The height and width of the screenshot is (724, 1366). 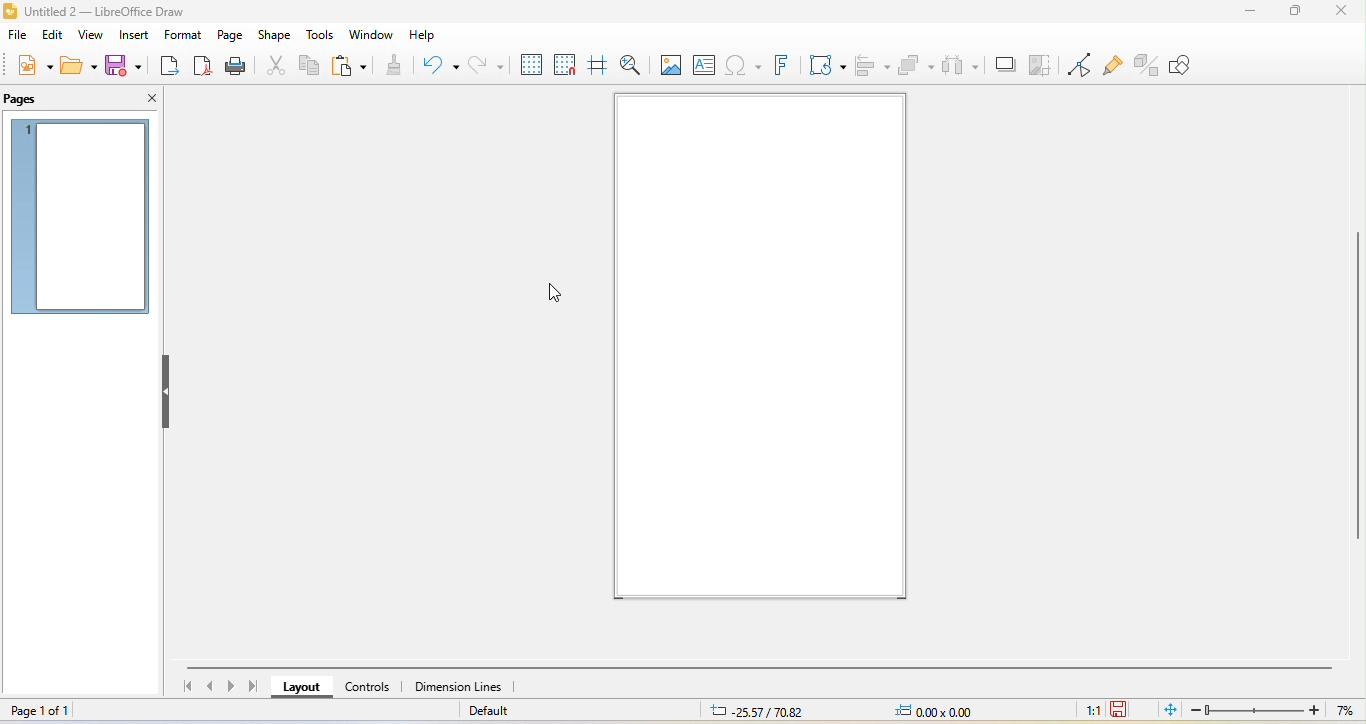 I want to click on pages, so click(x=31, y=99).